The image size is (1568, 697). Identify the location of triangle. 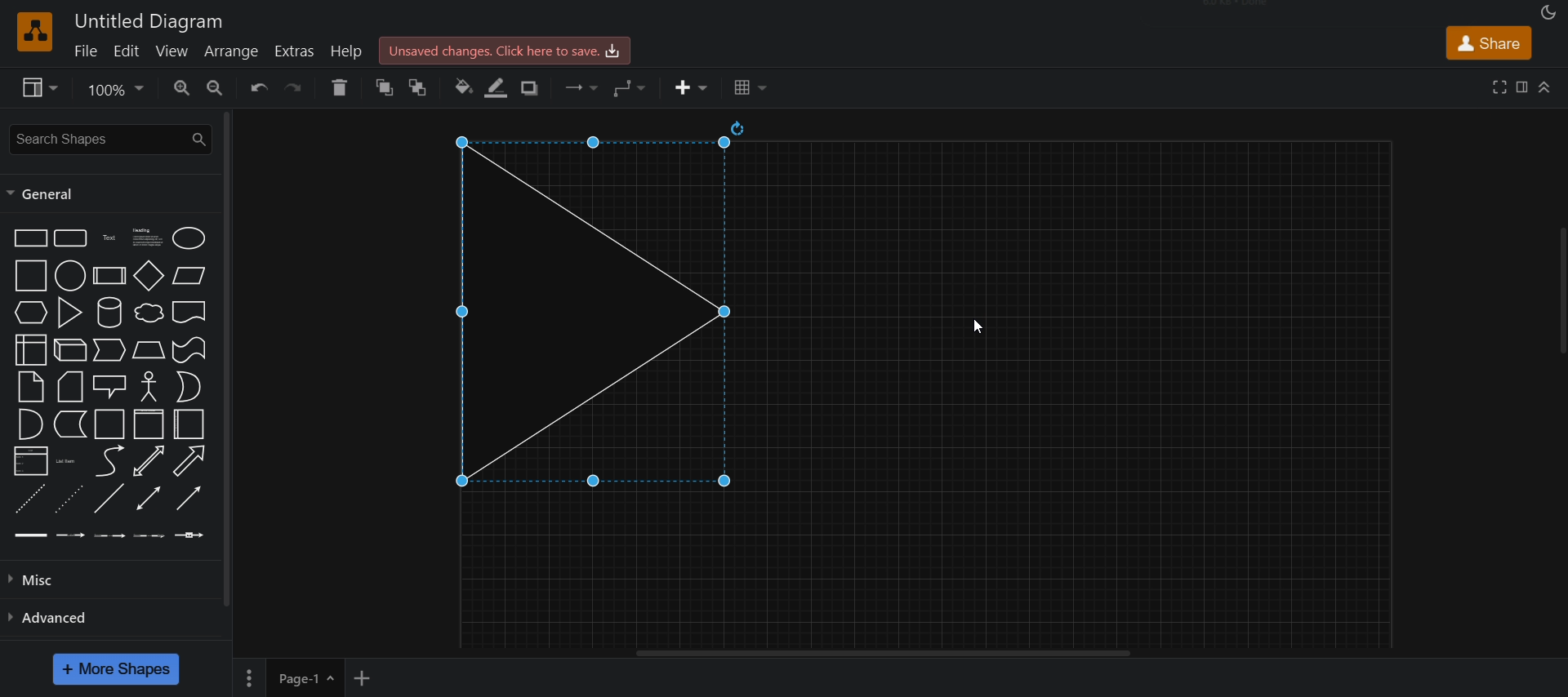
(71, 313).